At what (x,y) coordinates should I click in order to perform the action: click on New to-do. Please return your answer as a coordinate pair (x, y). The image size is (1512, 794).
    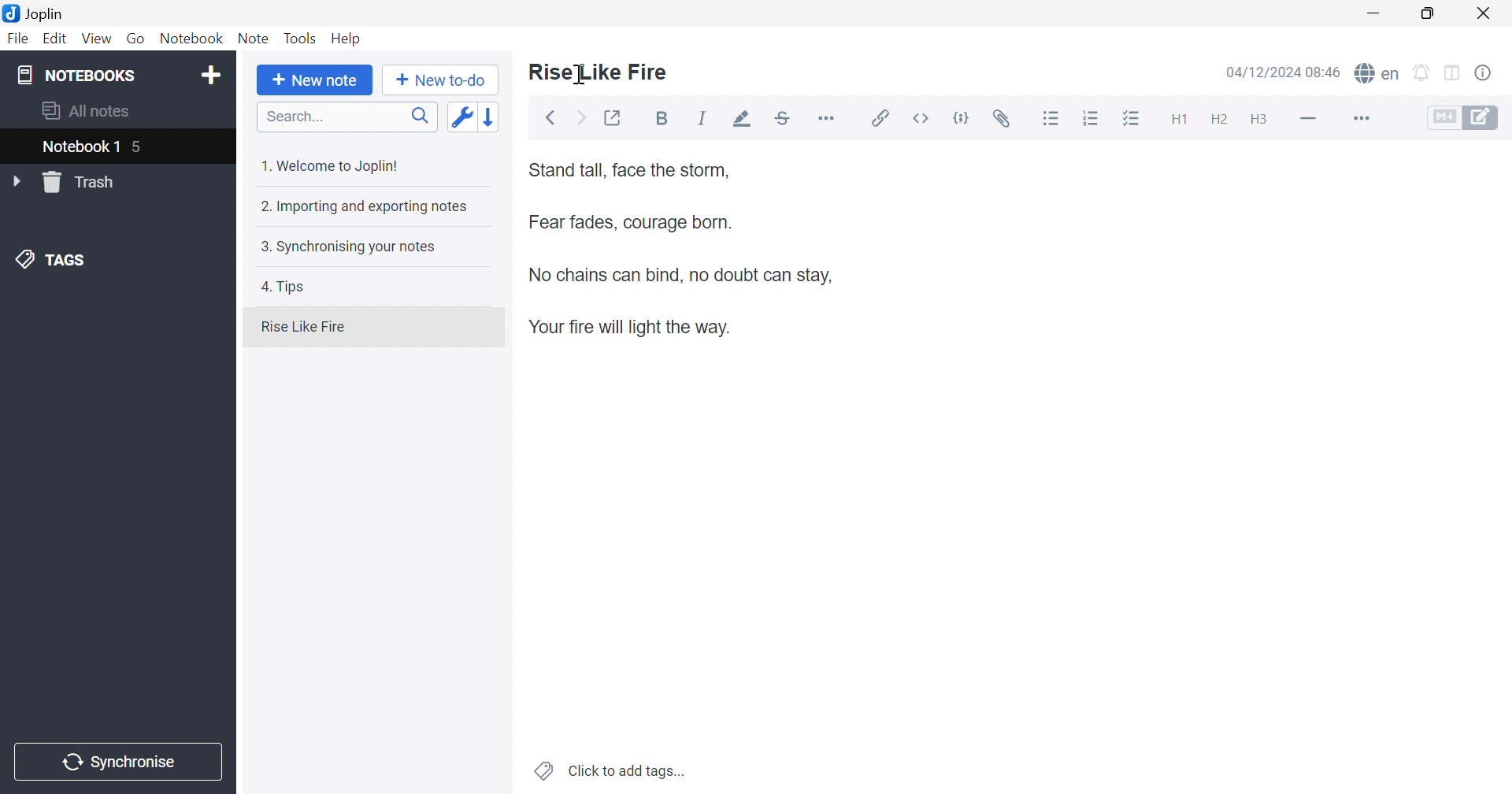
    Looking at the image, I should click on (441, 80).